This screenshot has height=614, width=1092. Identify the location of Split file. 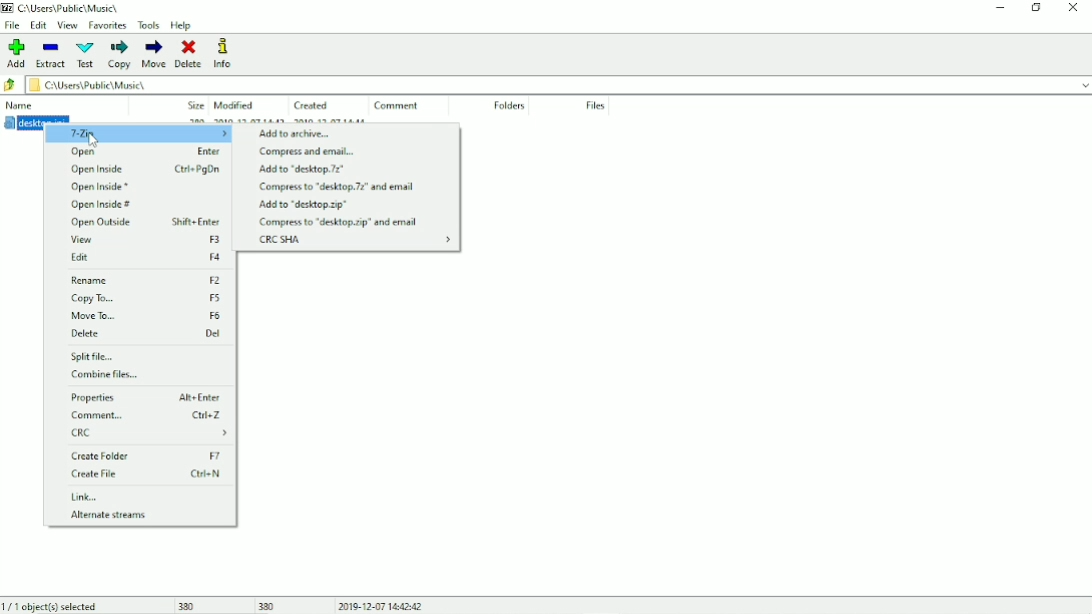
(97, 357).